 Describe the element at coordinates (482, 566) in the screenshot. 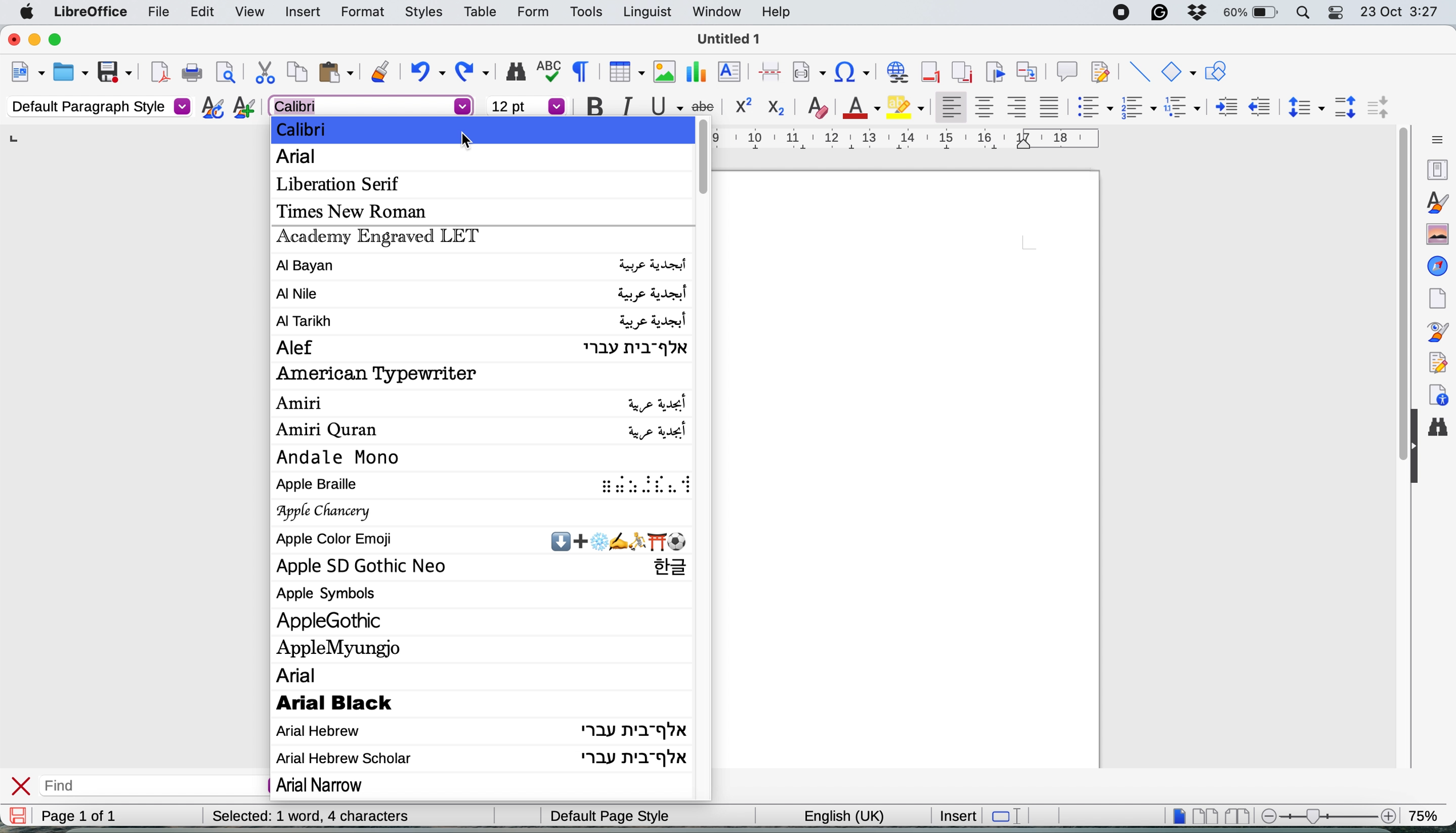

I see `apply sd gothic neo` at that location.